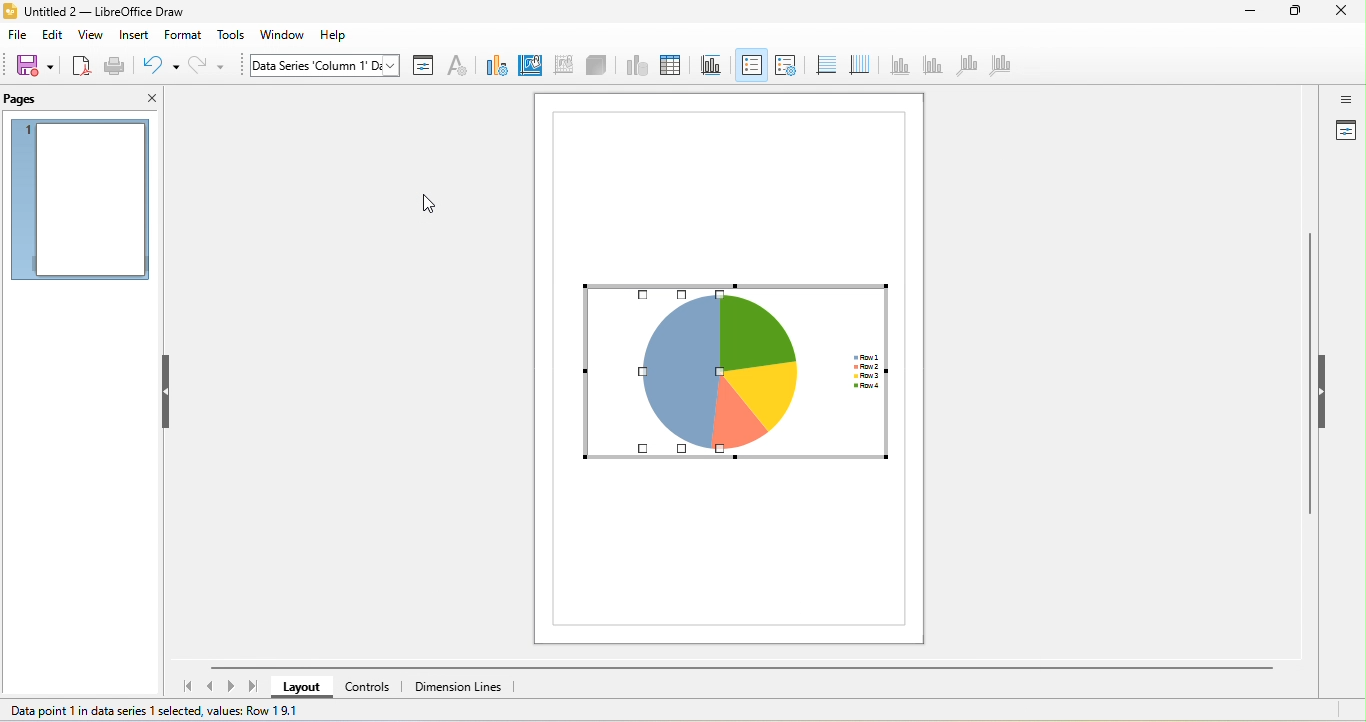 This screenshot has width=1366, height=722. Describe the element at coordinates (1322, 389) in the screenshot. I see `hide` at that location.